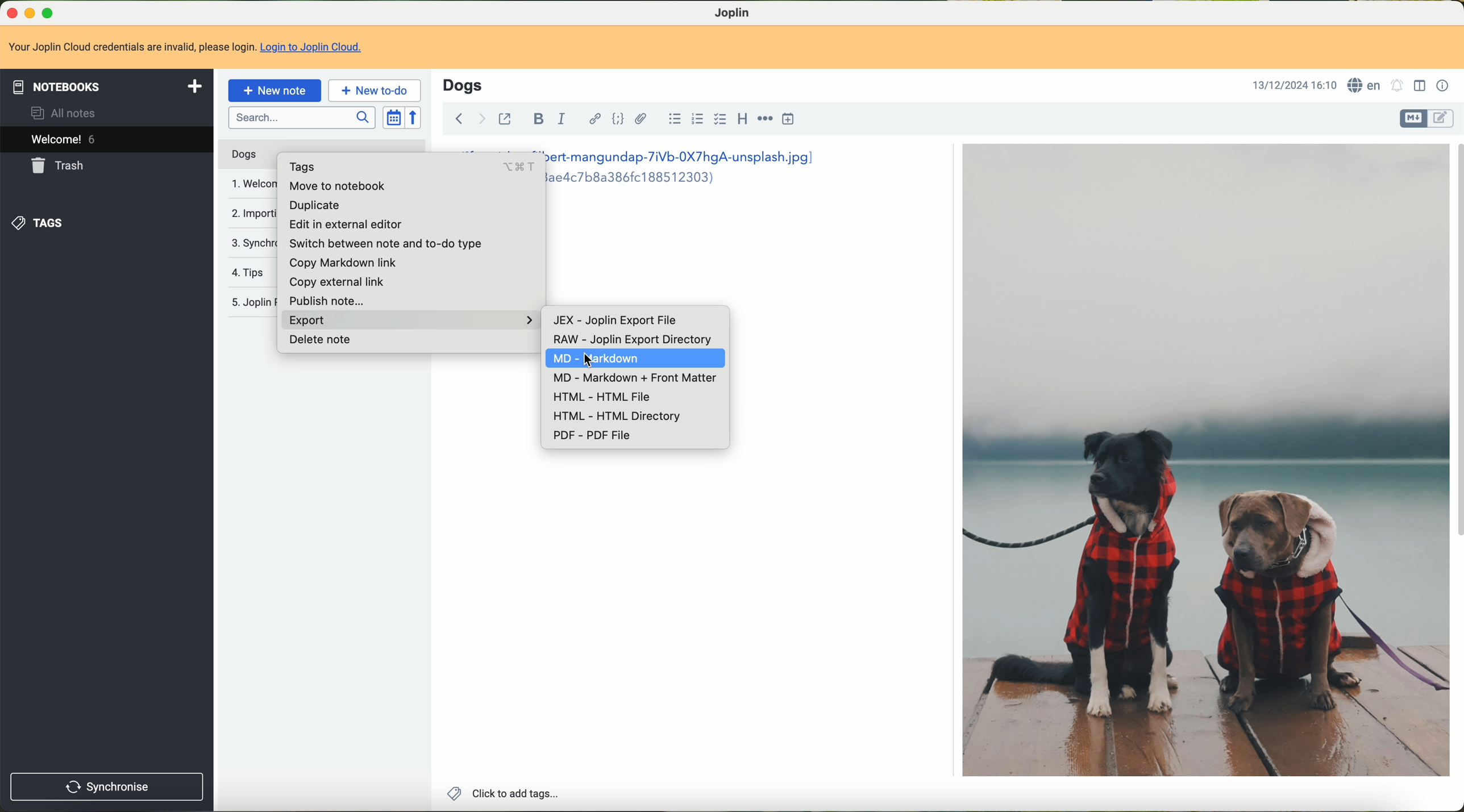 The height and width of the screenshot is (812, 1464). I want to click on export, so click(407, 321).